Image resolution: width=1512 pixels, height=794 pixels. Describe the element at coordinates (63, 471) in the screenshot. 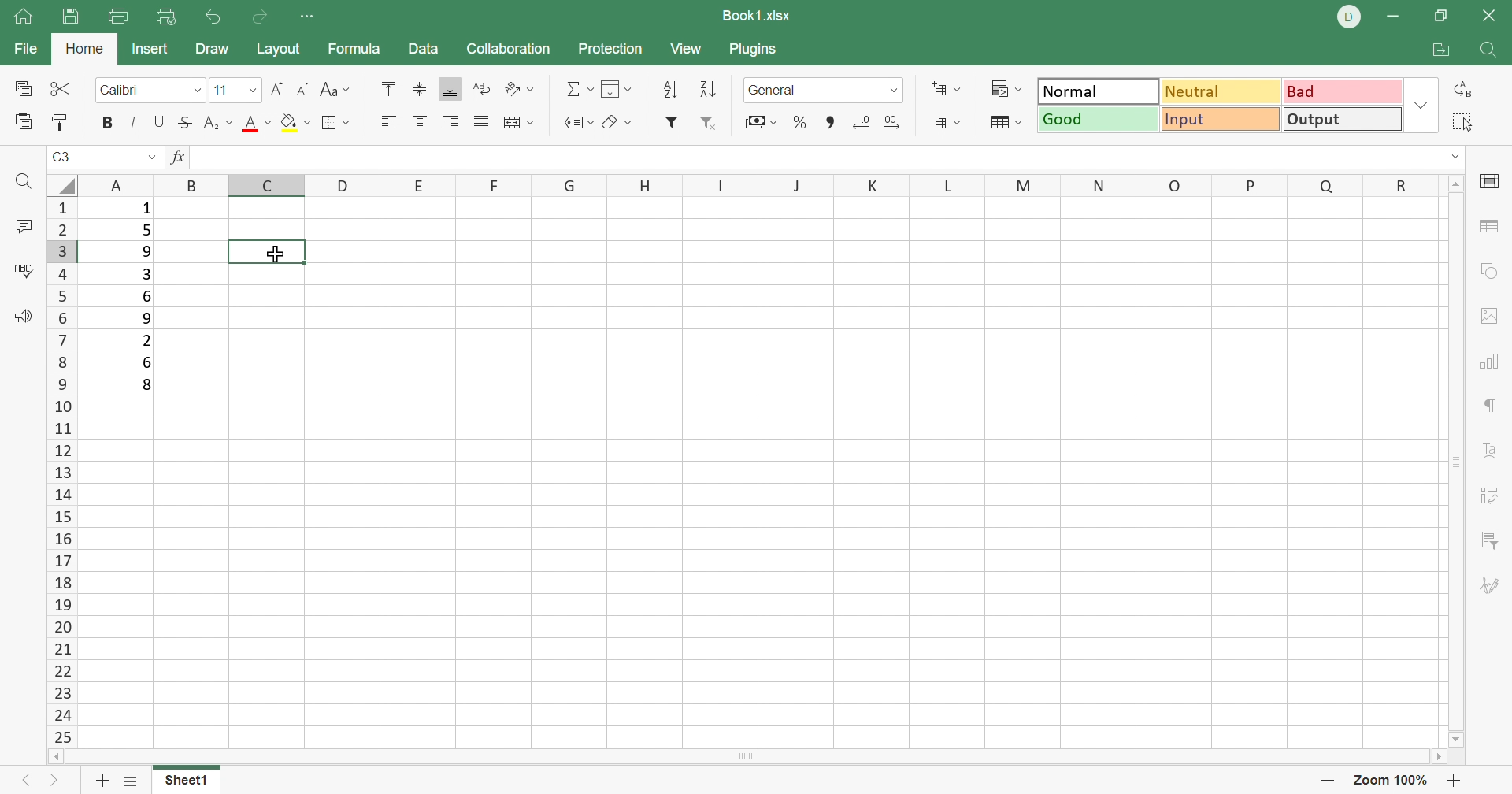

I see `Row Number` at that location.